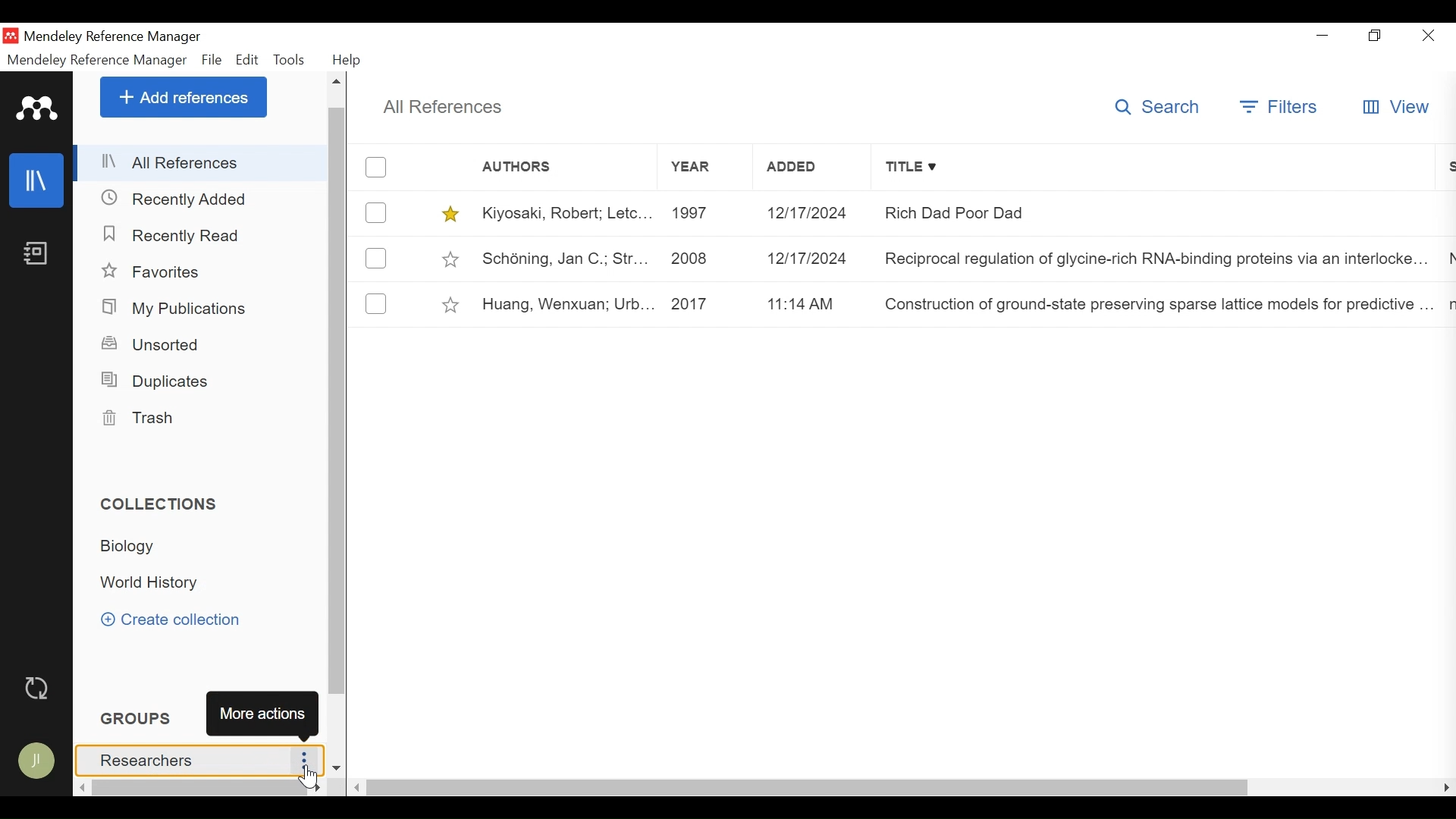  What do you see at coordinates (140, 717) in the screenshot?
I see `Groups` at bounding box center [140, 717].